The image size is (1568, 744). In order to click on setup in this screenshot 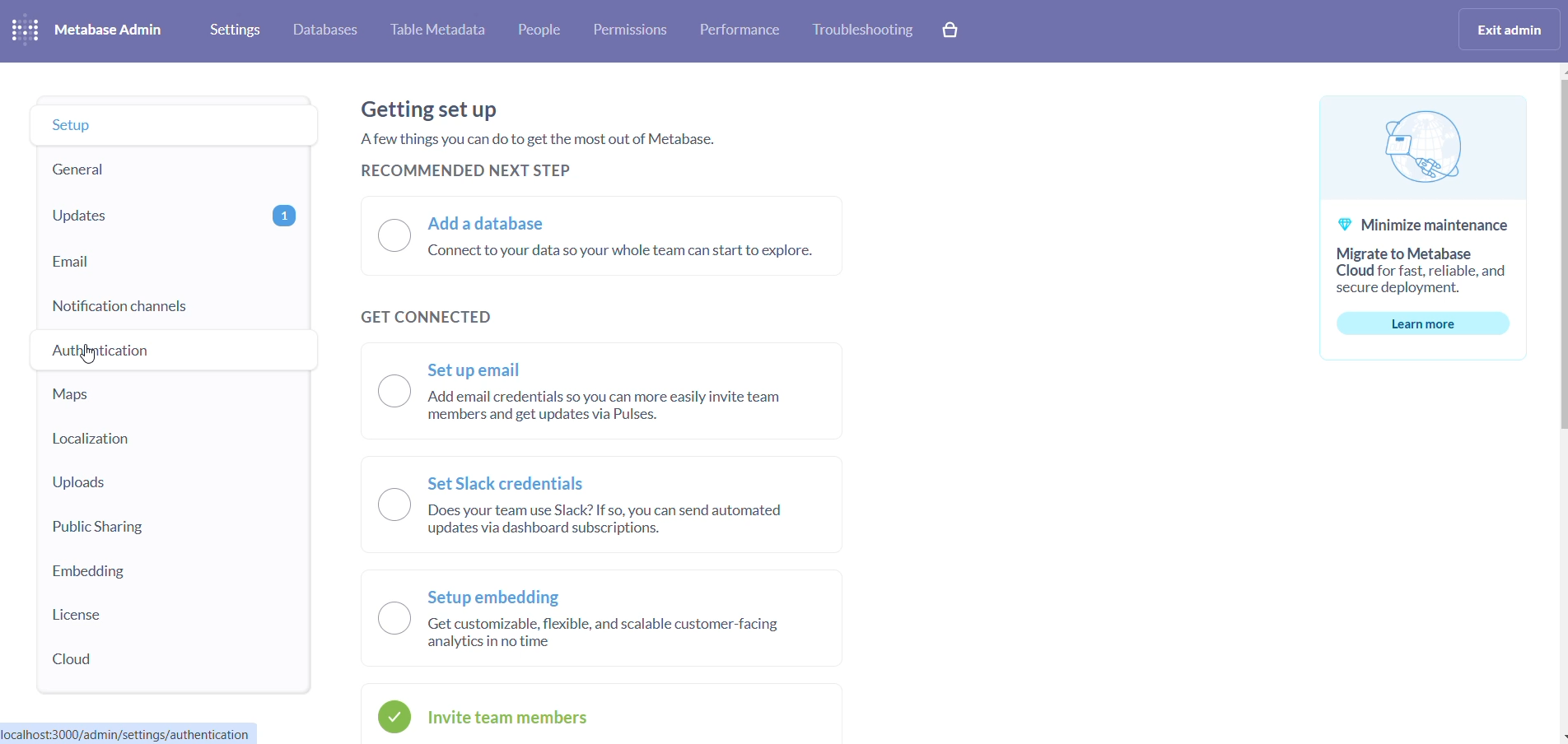, I will do `click(158, 125)`.